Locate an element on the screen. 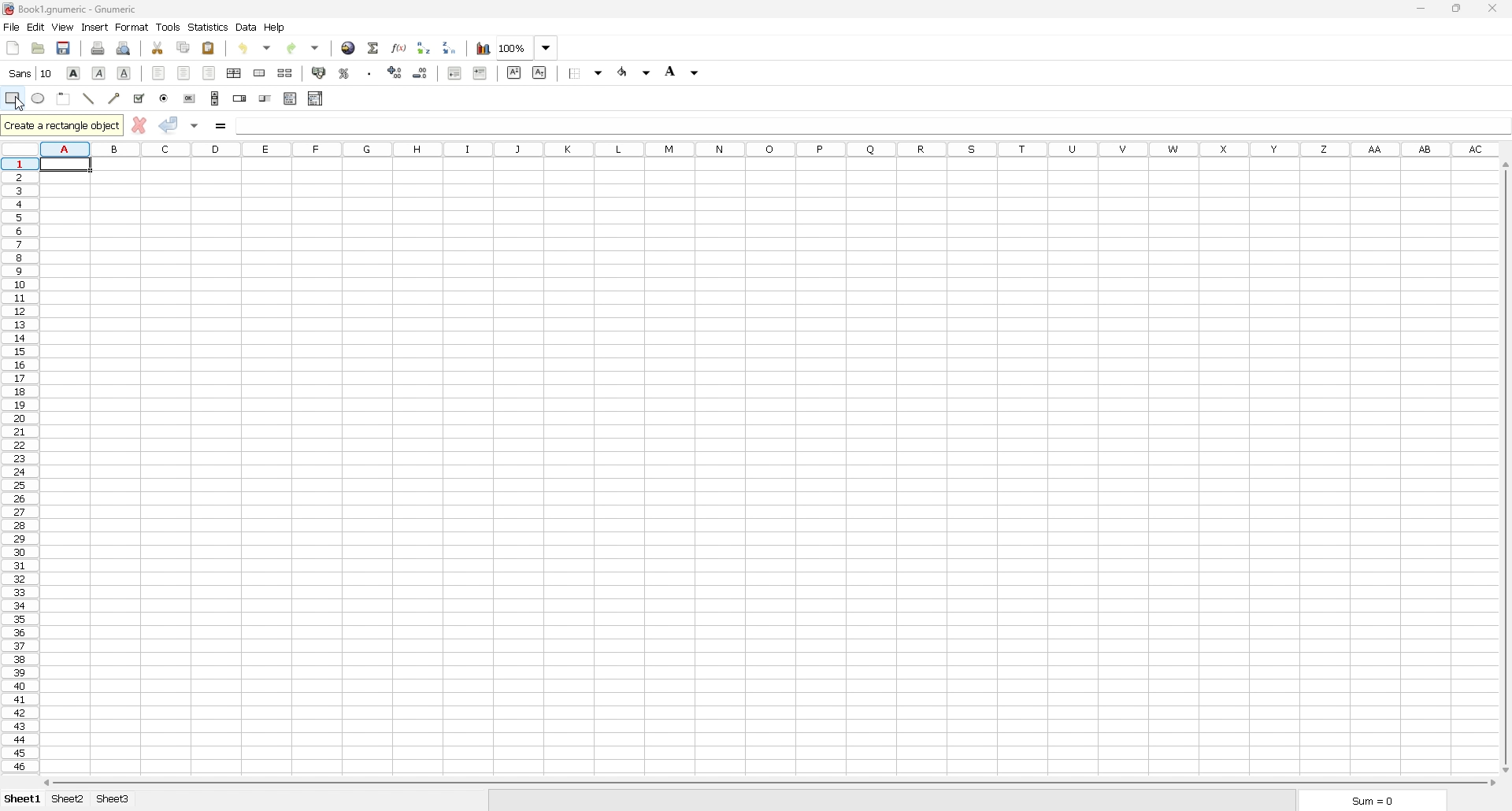 This screenshot has width=1512, height=811. cut is located at coordinates (158, 48).